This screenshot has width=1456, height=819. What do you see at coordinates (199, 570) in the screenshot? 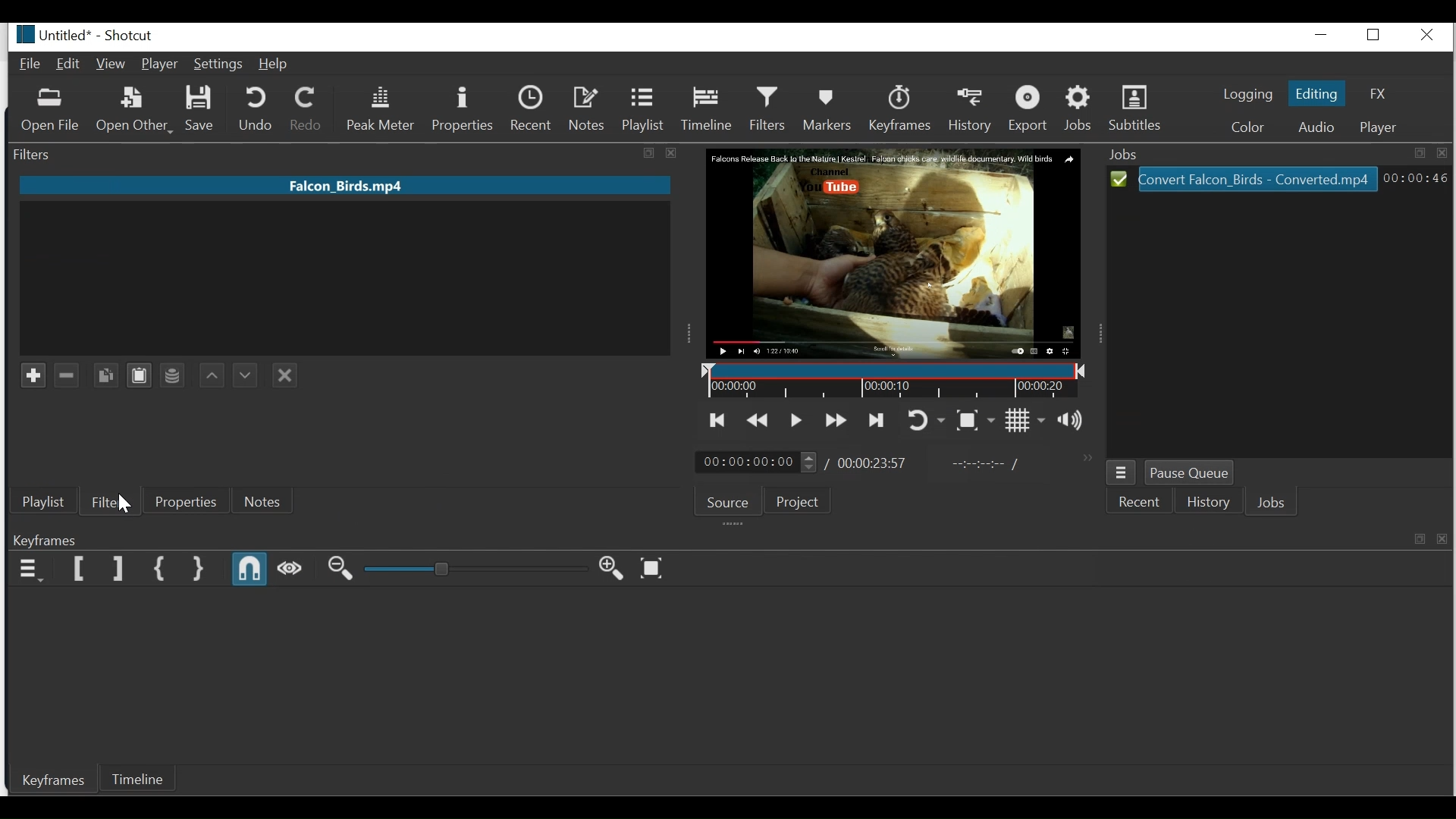
I see `Set Second Simple Keyframe` at bounding box center [199, 570].